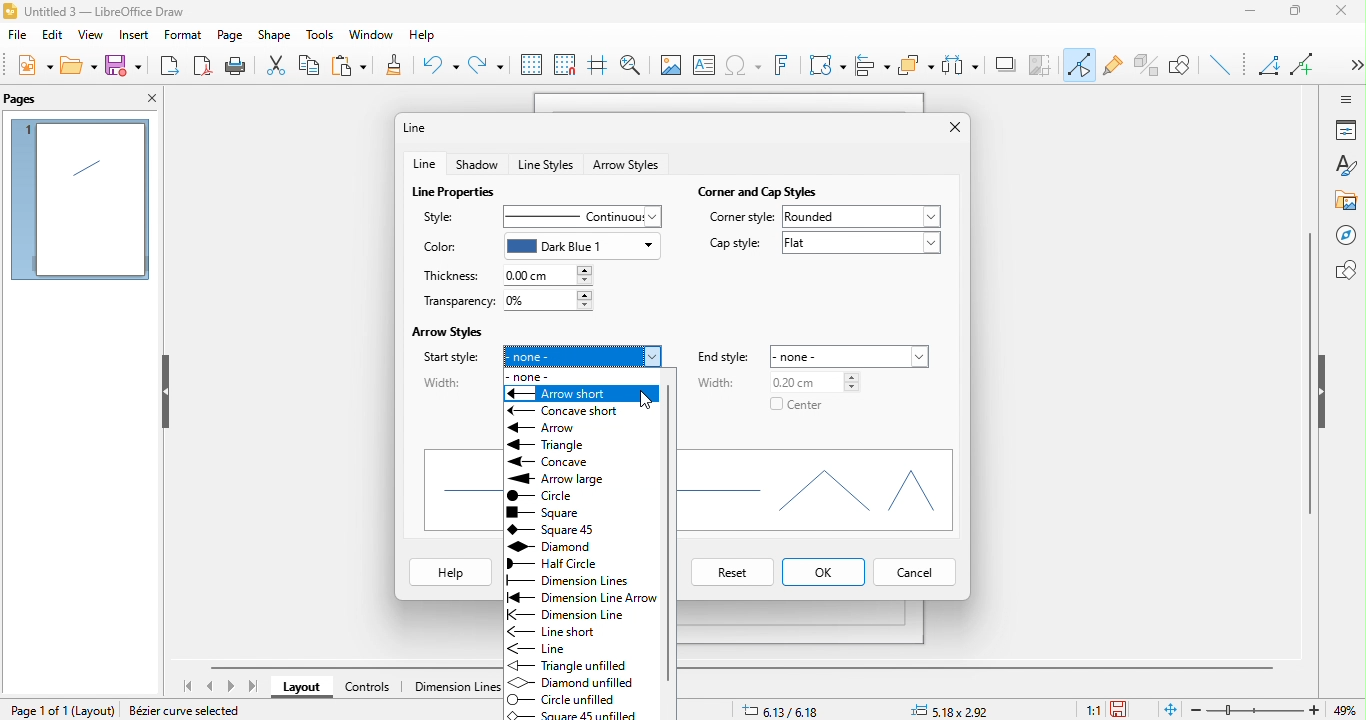 This screenshot has height=720, width=1366. What do you see at coordinates (421, 37) in the screenshot?
I see `help` at bounding box center [421, 37].